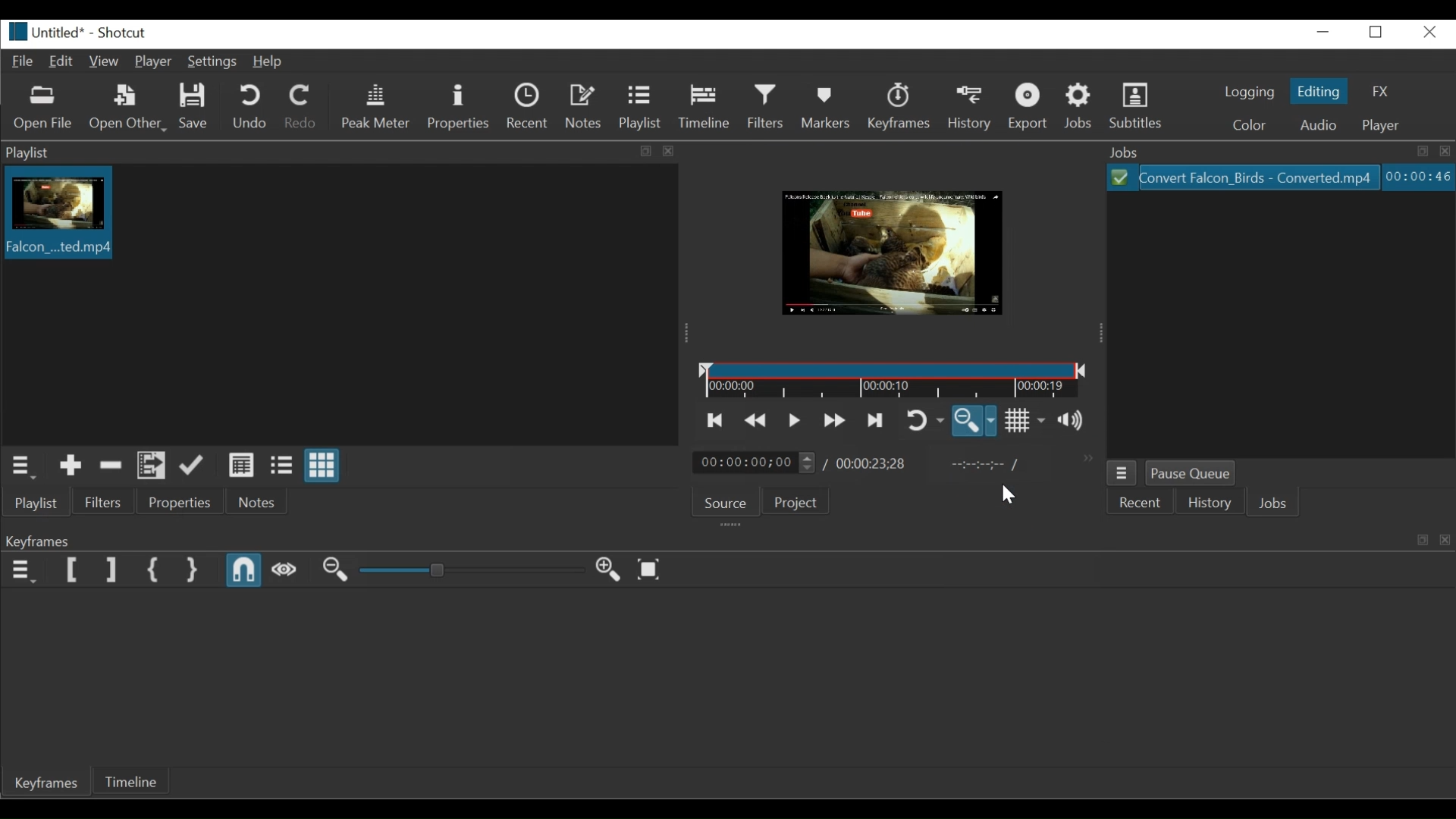 This screenshot has width=1456, height=819. I want to click on Keyframes, so click(73, 538).